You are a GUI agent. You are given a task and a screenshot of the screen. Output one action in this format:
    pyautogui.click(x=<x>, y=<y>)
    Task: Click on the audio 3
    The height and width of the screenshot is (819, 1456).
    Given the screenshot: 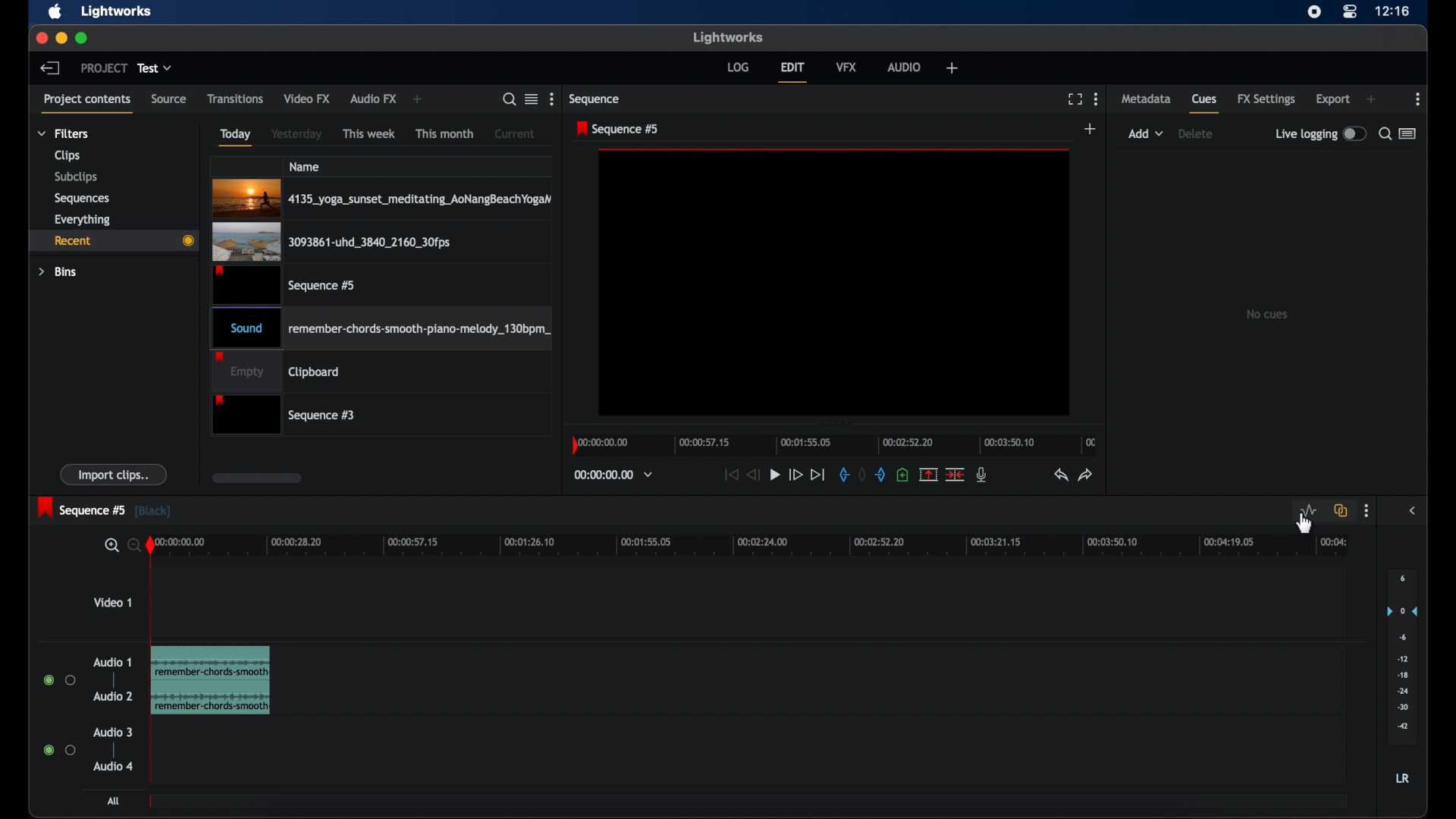 What is the action you would take?
    pyautogui.click(x=114, y=733)
    